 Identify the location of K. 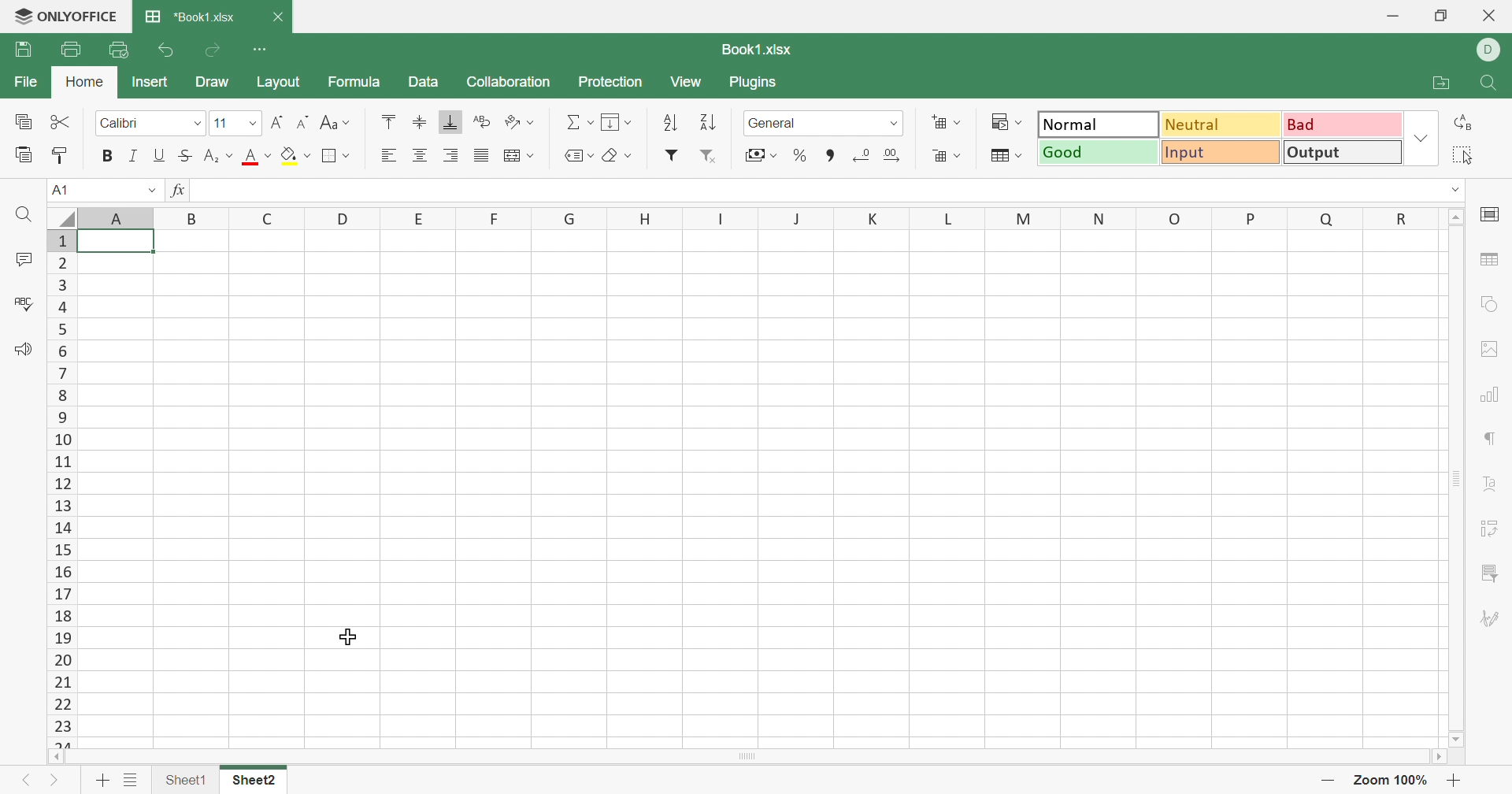
(865, 217).